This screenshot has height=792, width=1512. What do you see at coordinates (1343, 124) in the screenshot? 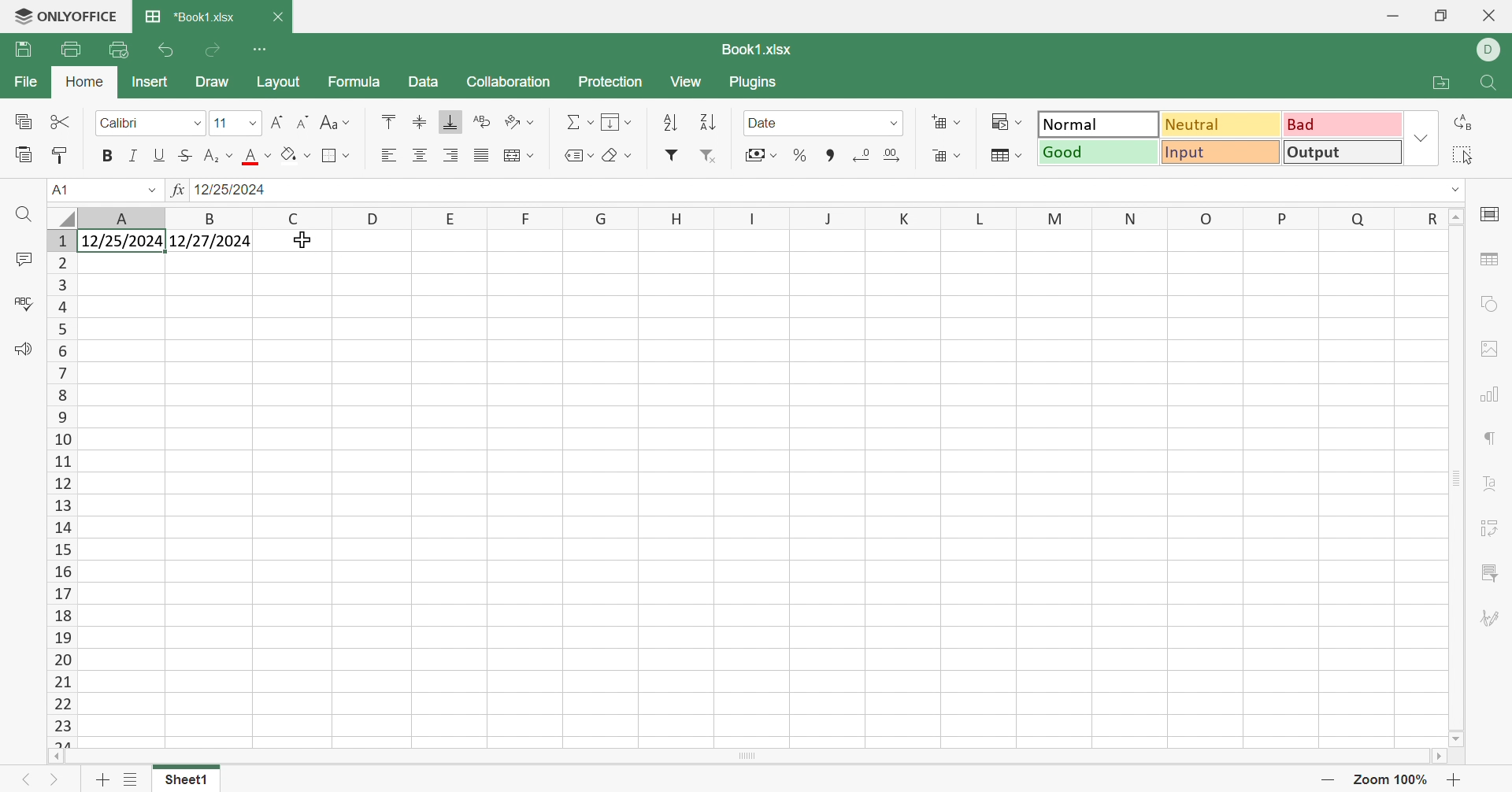
I see `Bad` at bounding box center [1343, 124].